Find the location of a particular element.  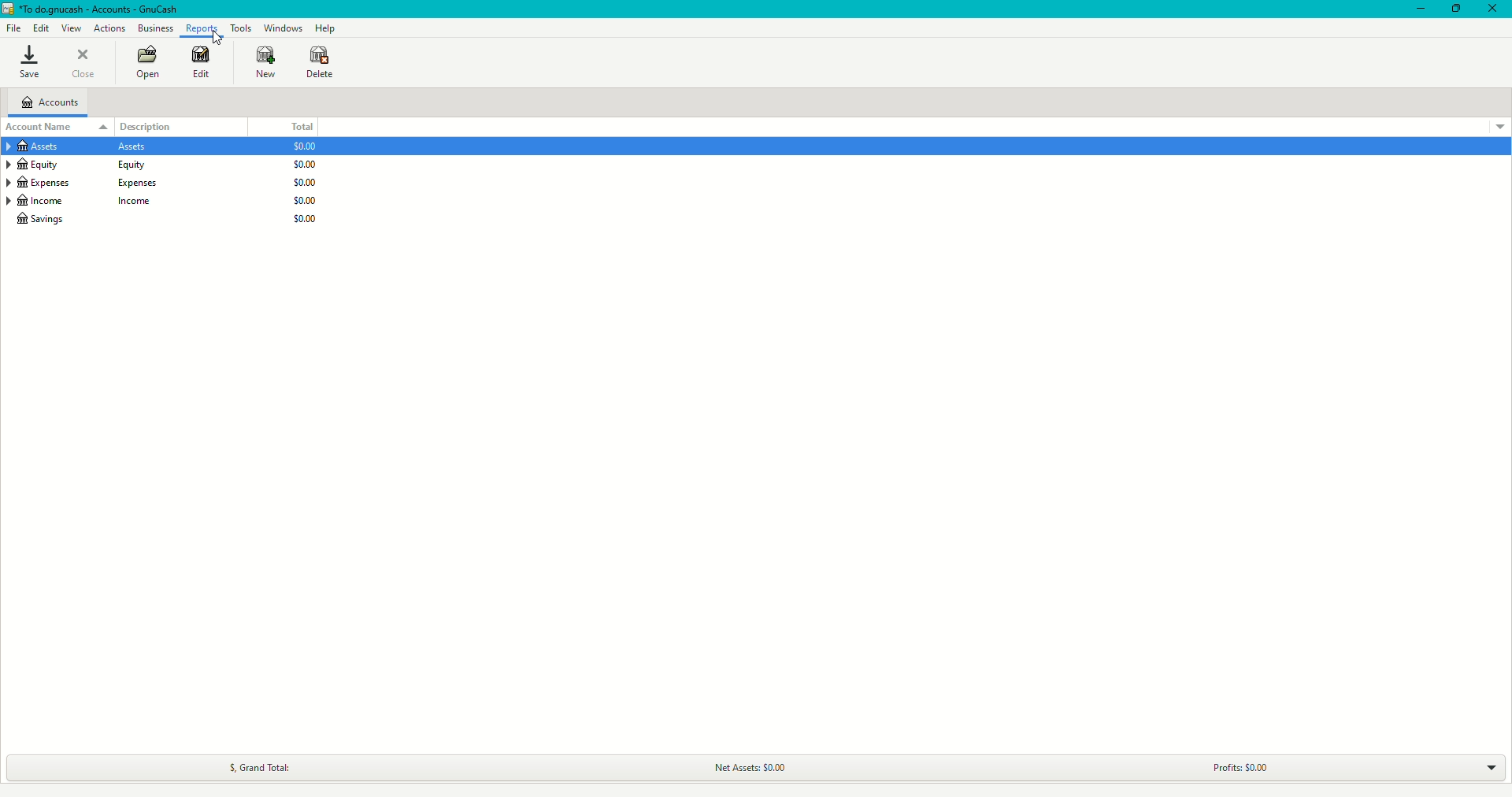

Close is located at coordinates (82, 63).